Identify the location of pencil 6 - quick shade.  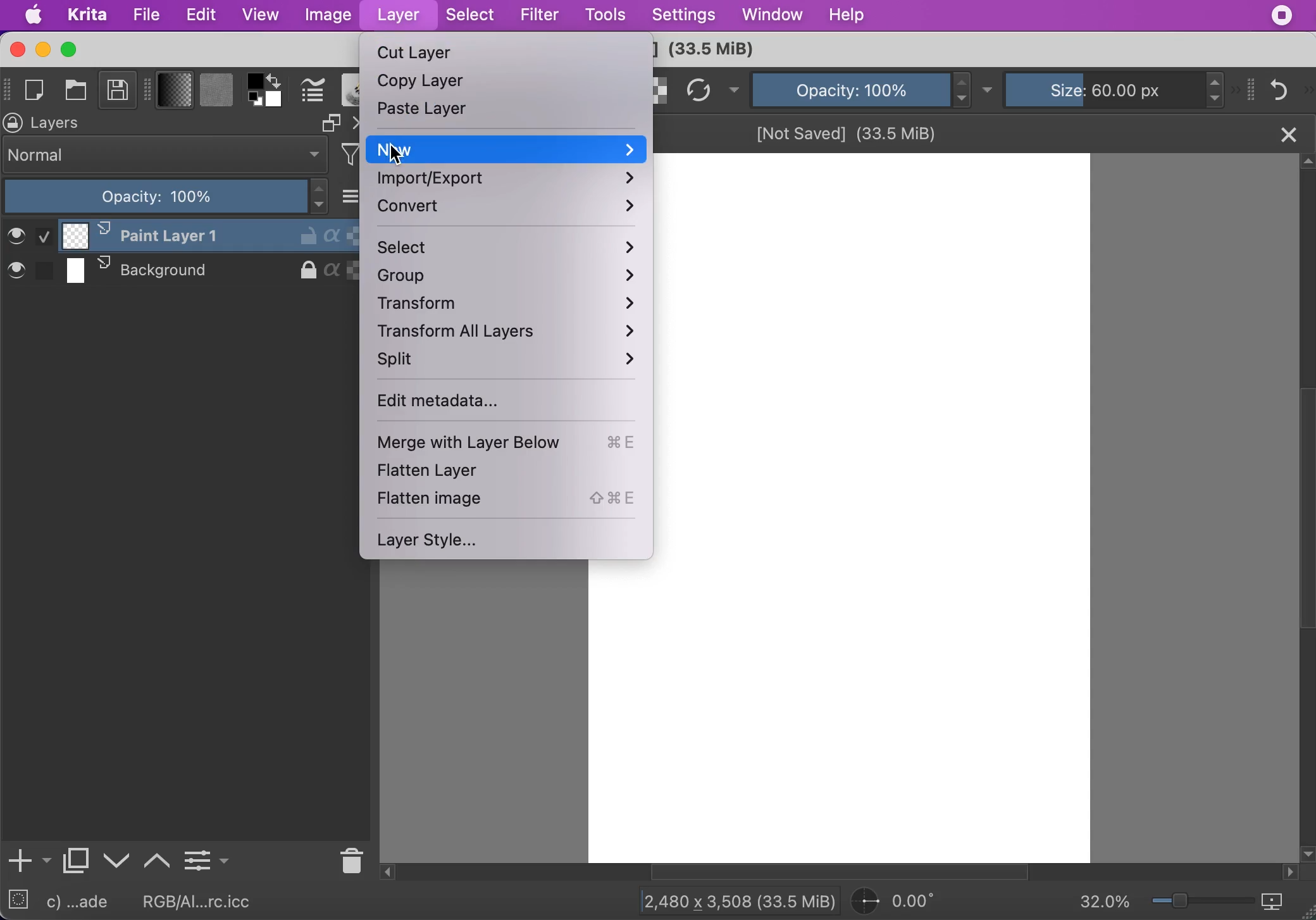
(85, 902).